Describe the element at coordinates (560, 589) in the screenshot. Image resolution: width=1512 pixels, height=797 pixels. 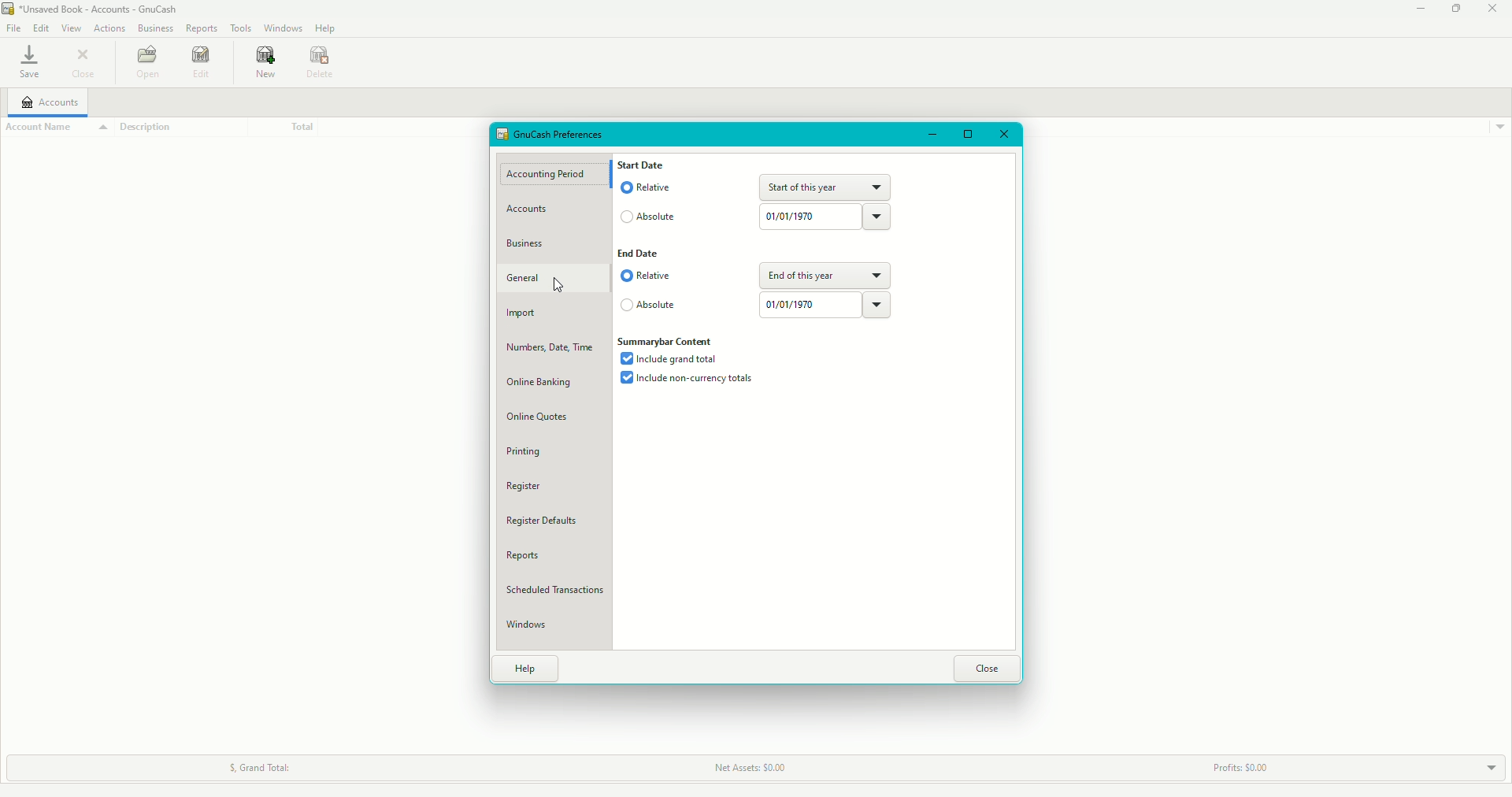
I see `Scheduled Transactions` at that location.